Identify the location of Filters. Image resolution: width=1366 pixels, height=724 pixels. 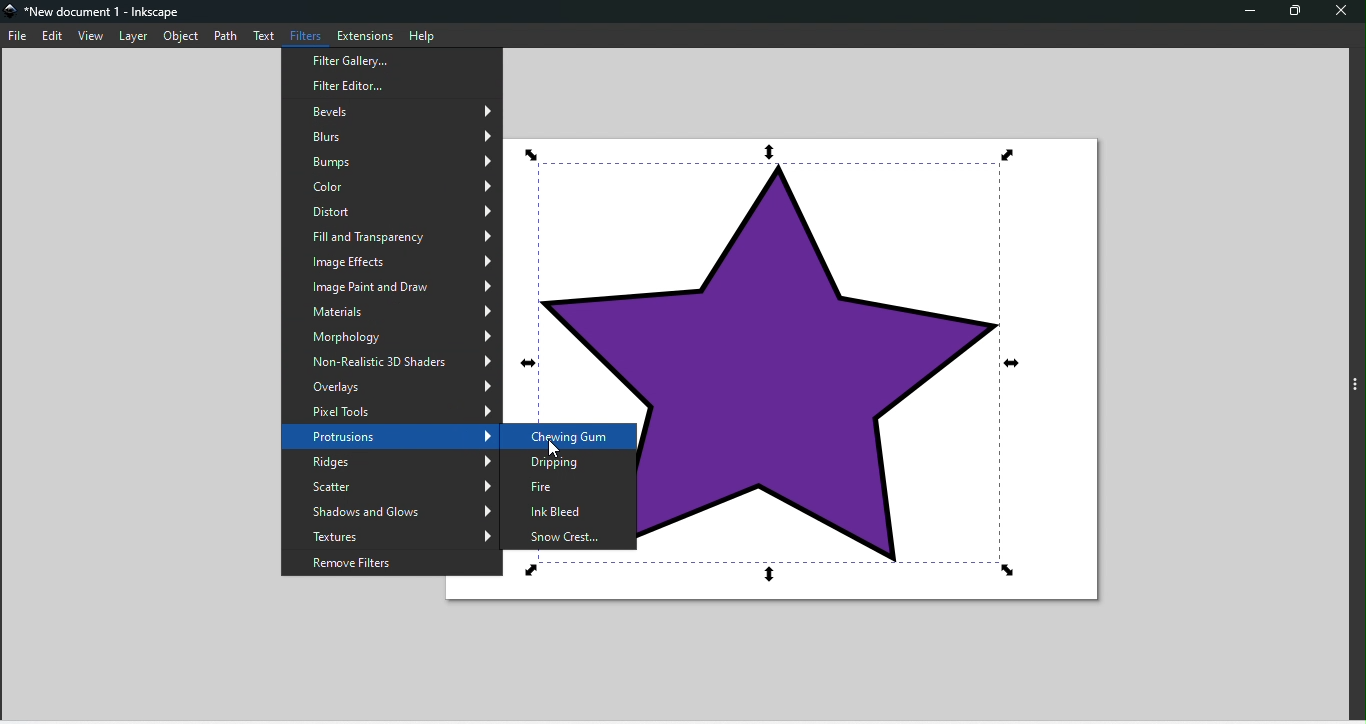
(309, 33).